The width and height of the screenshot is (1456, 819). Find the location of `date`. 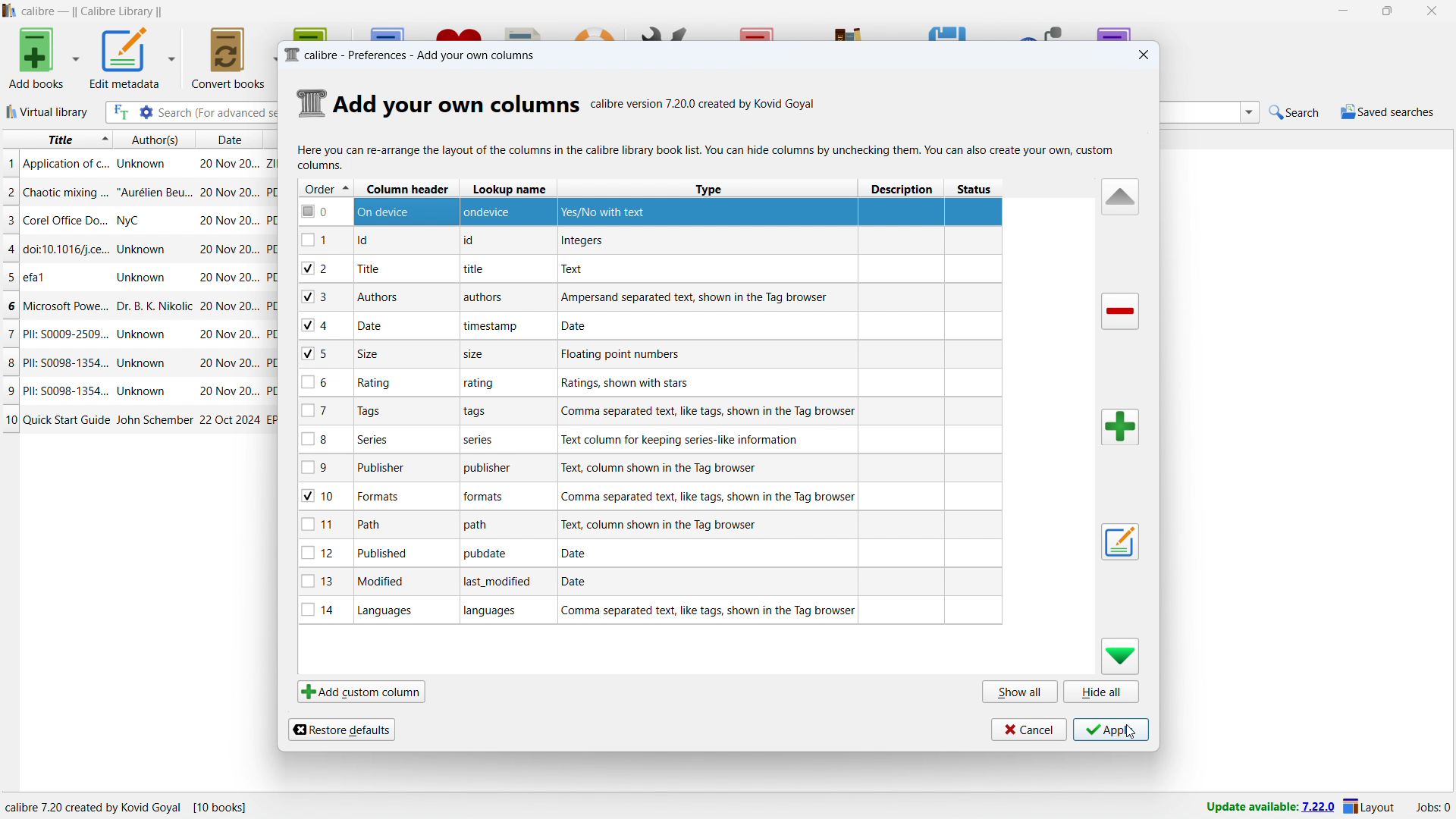

date is located at coordinates (229, 221).